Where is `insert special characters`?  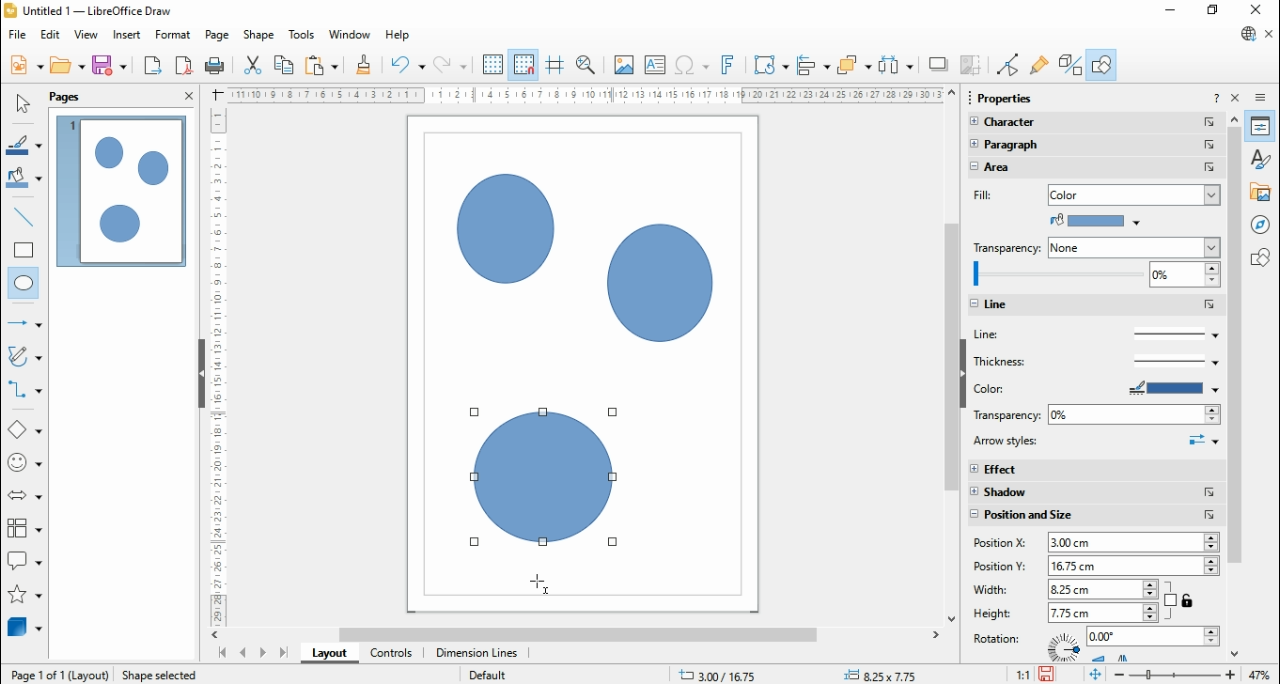
insert special characters is located at coordinates (693, 64).